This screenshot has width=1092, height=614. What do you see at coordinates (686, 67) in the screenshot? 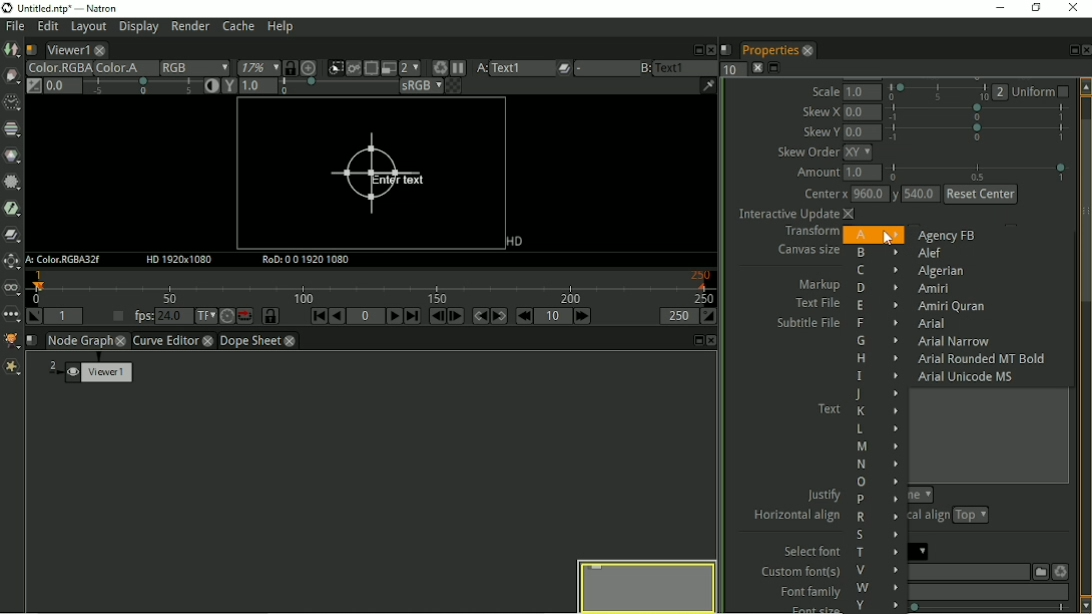
I see `text1` at bounding box center [686, 67].